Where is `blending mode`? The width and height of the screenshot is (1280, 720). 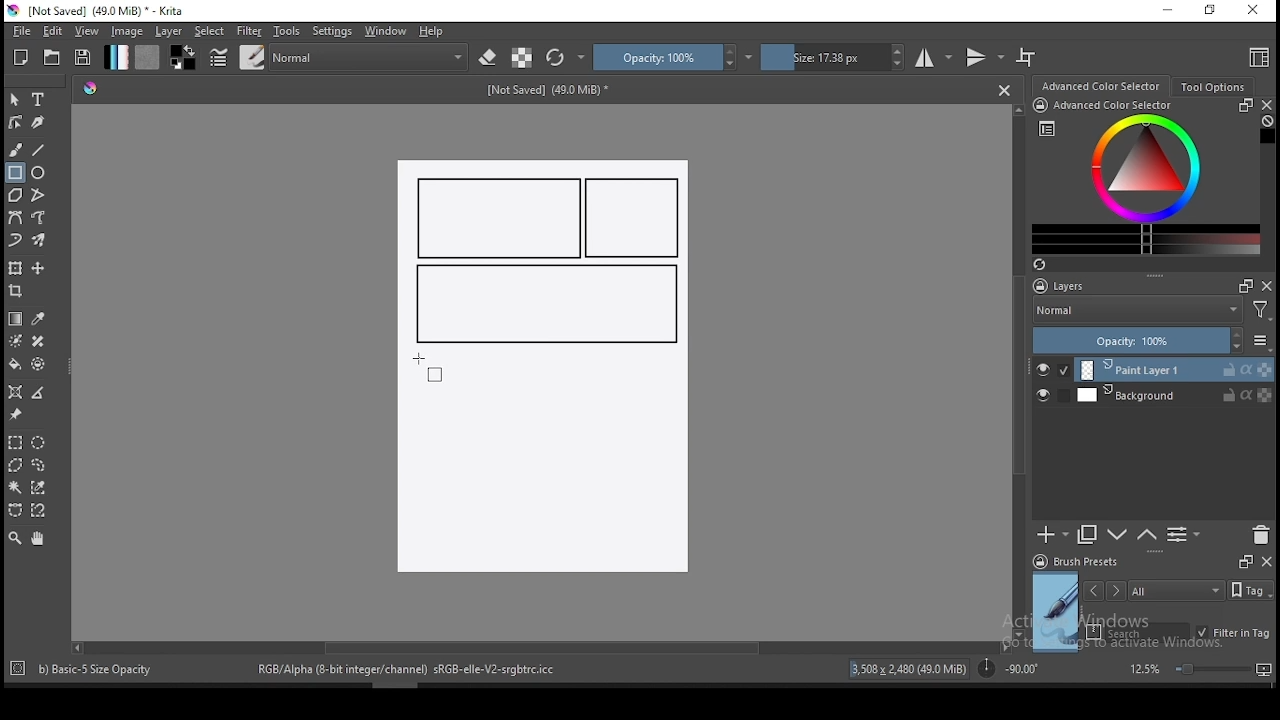 blending mode is located at coordinates (370, 57).